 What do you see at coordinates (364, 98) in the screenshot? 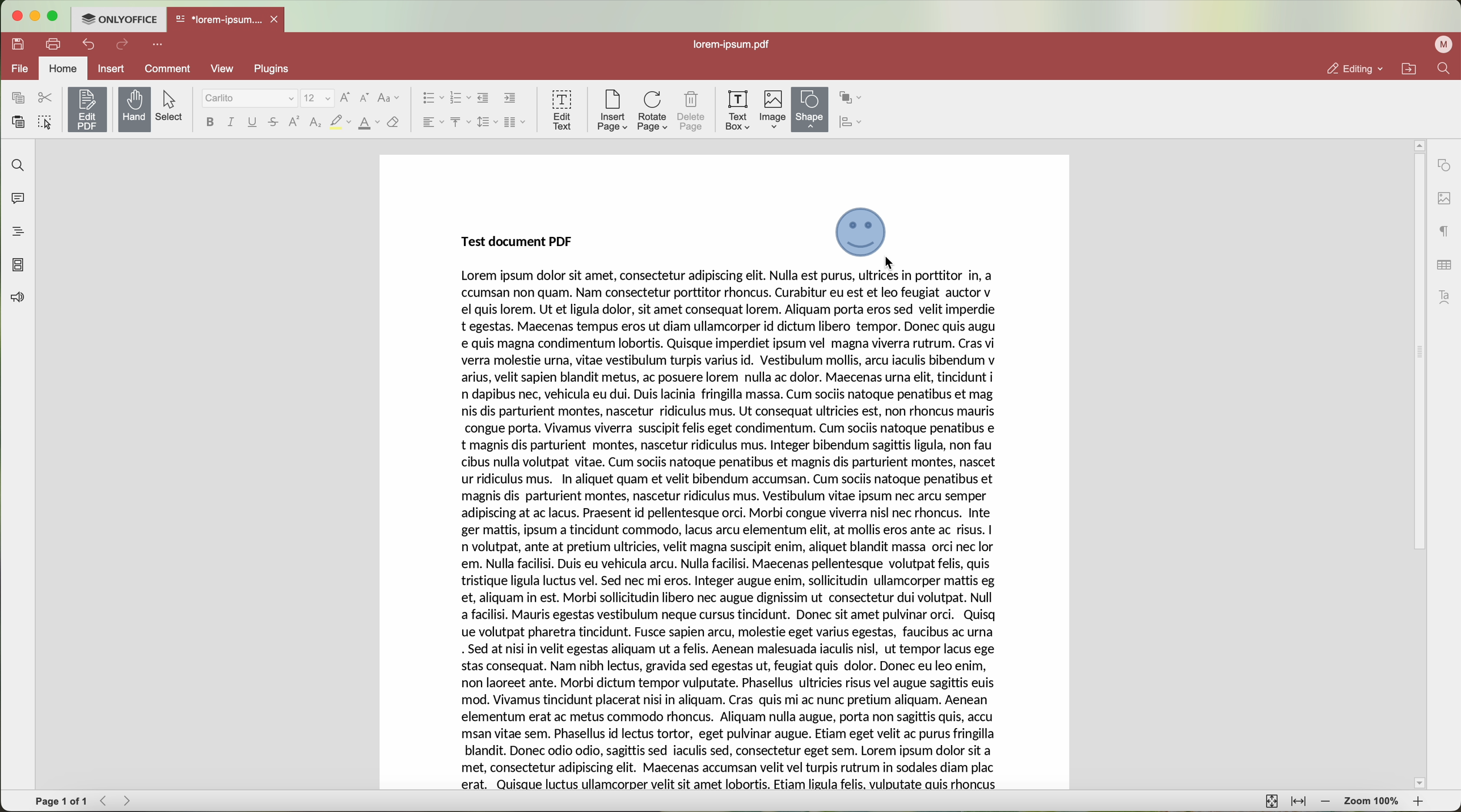
I see `decrement font size` at bounding box center [364, 98].